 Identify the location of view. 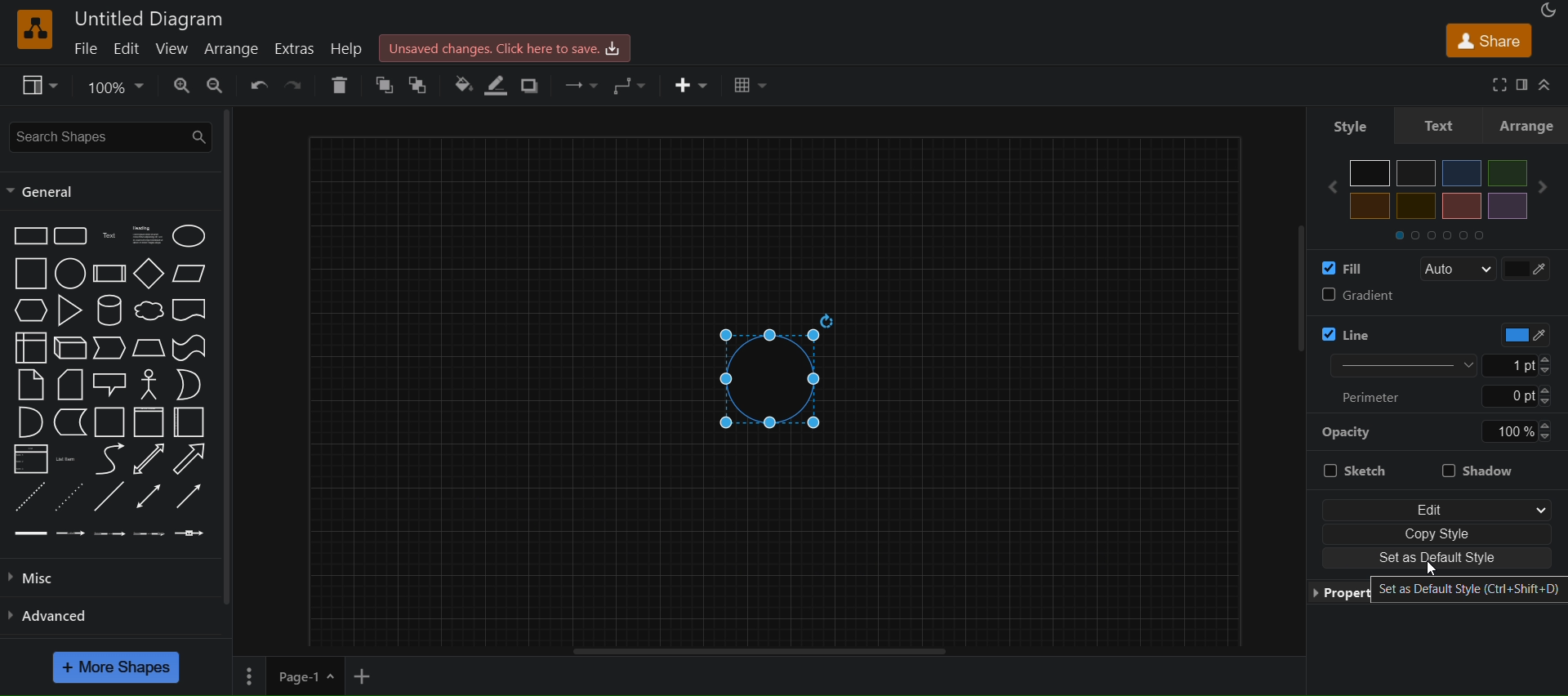
(173, 48).